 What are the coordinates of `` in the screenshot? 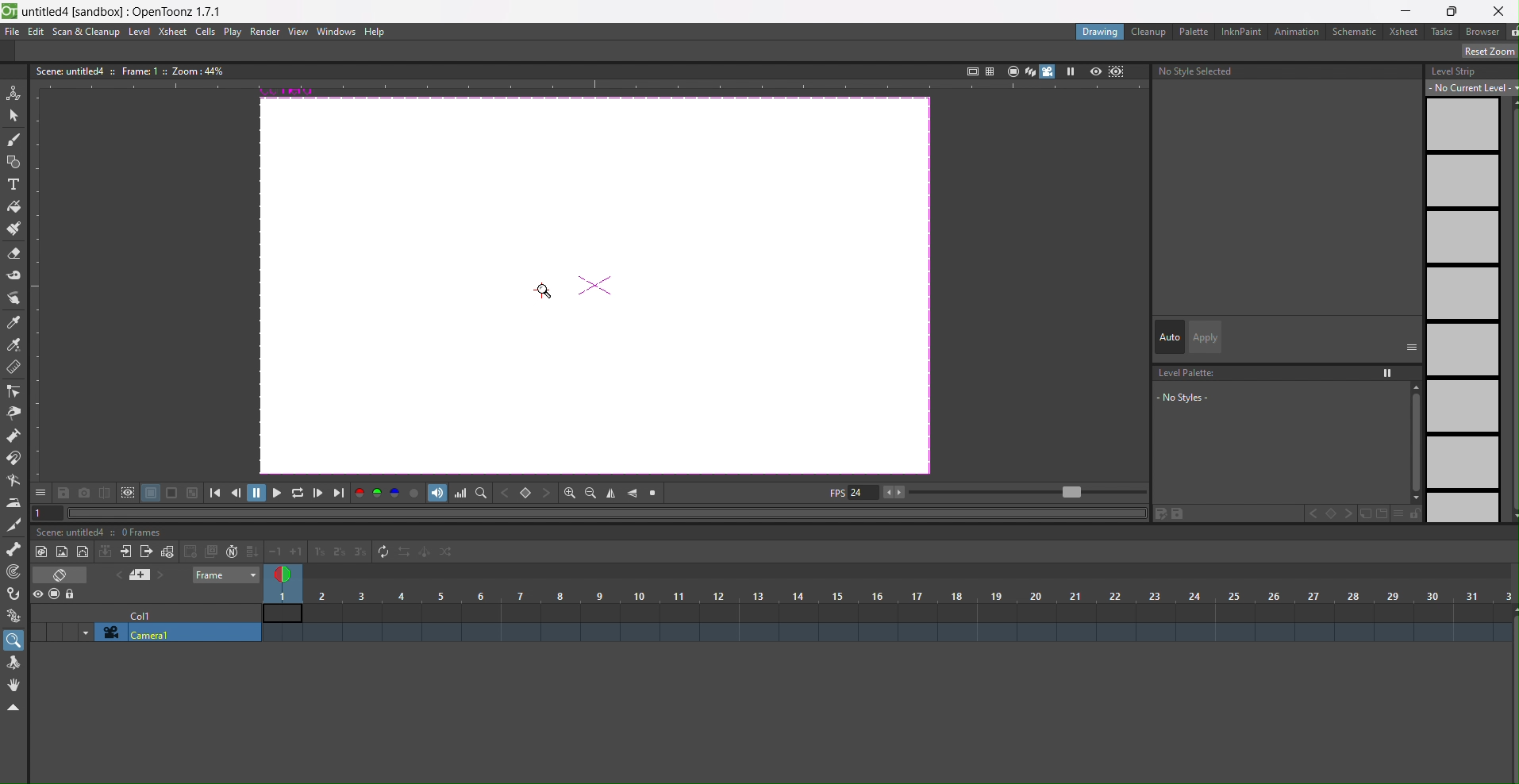 It's located at (425, 553).